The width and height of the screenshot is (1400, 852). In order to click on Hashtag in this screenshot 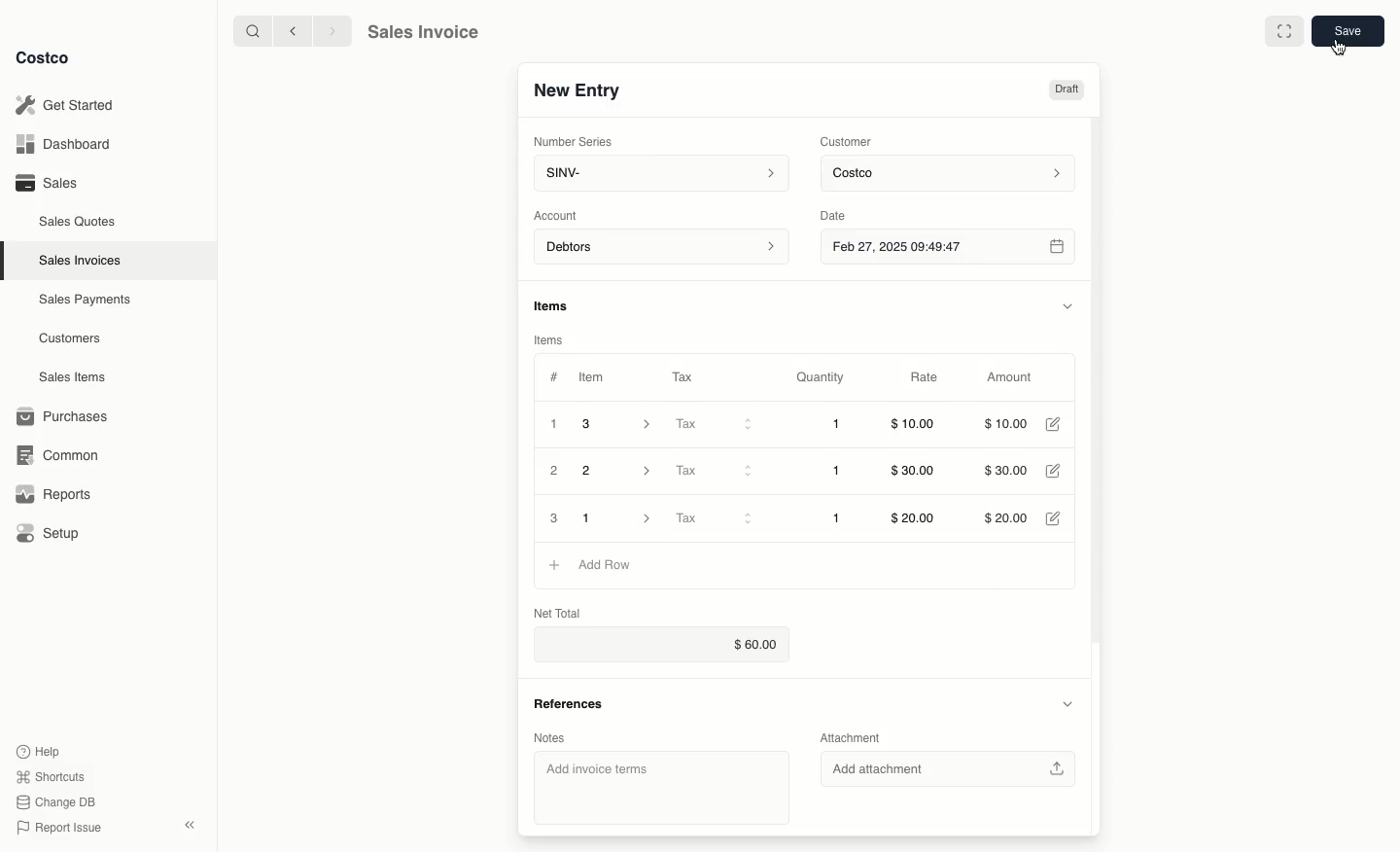, I will do `click(553, 377)`.